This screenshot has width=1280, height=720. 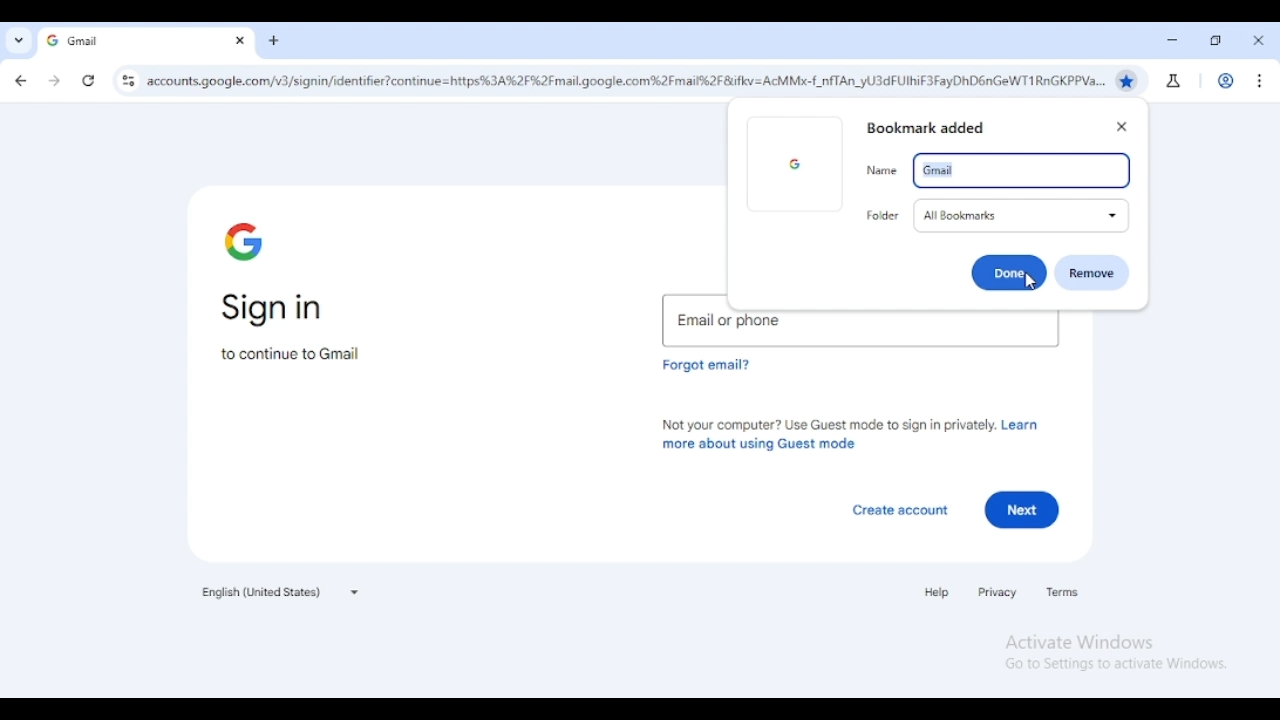 What do you see at coordinates (926, 128) in the screenshot?
I see `bookmark added` at bounding box center [926, 128].